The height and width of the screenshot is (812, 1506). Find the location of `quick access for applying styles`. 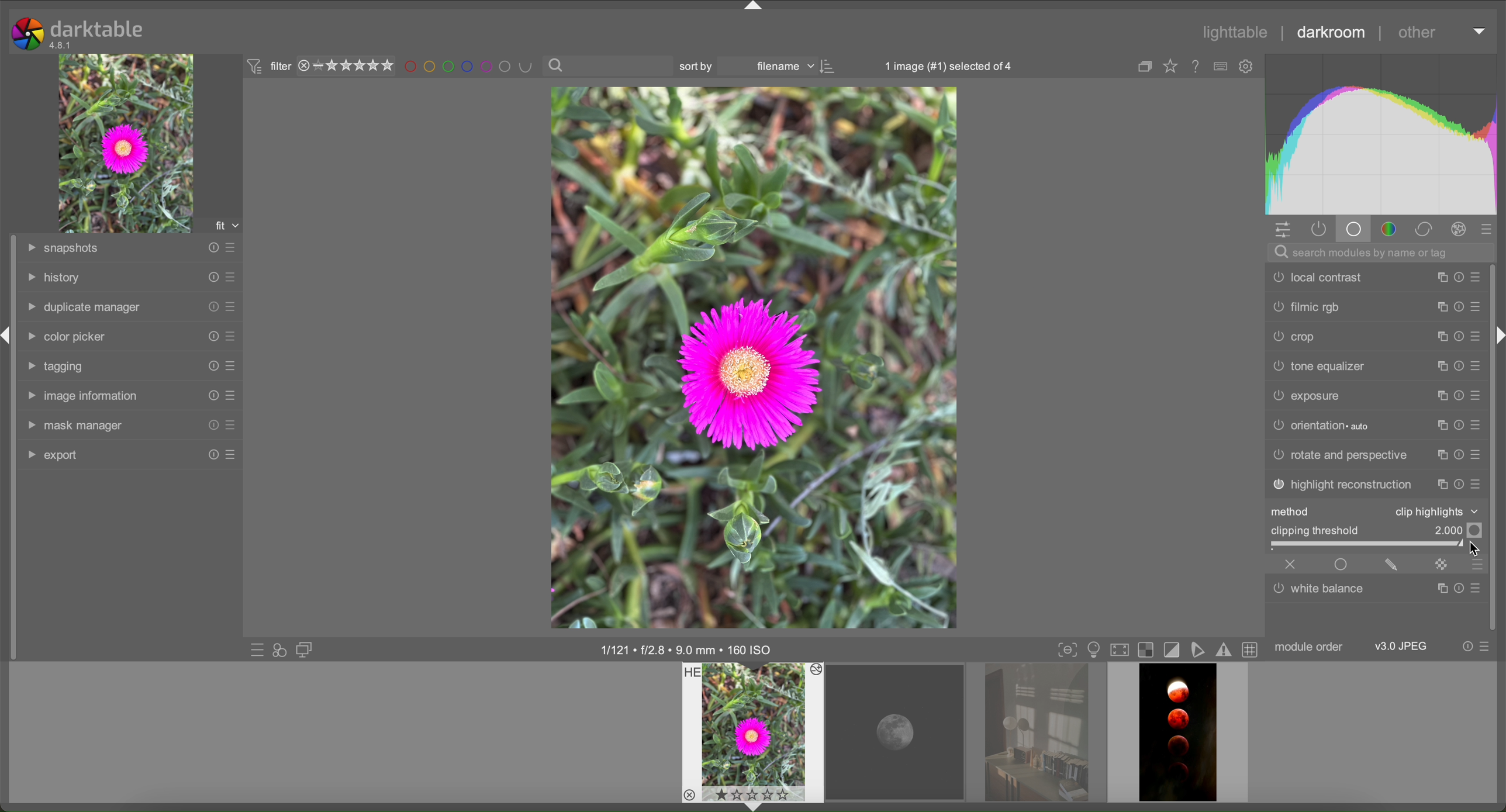

quick access for applying styles is located at coordinates (281, 649).